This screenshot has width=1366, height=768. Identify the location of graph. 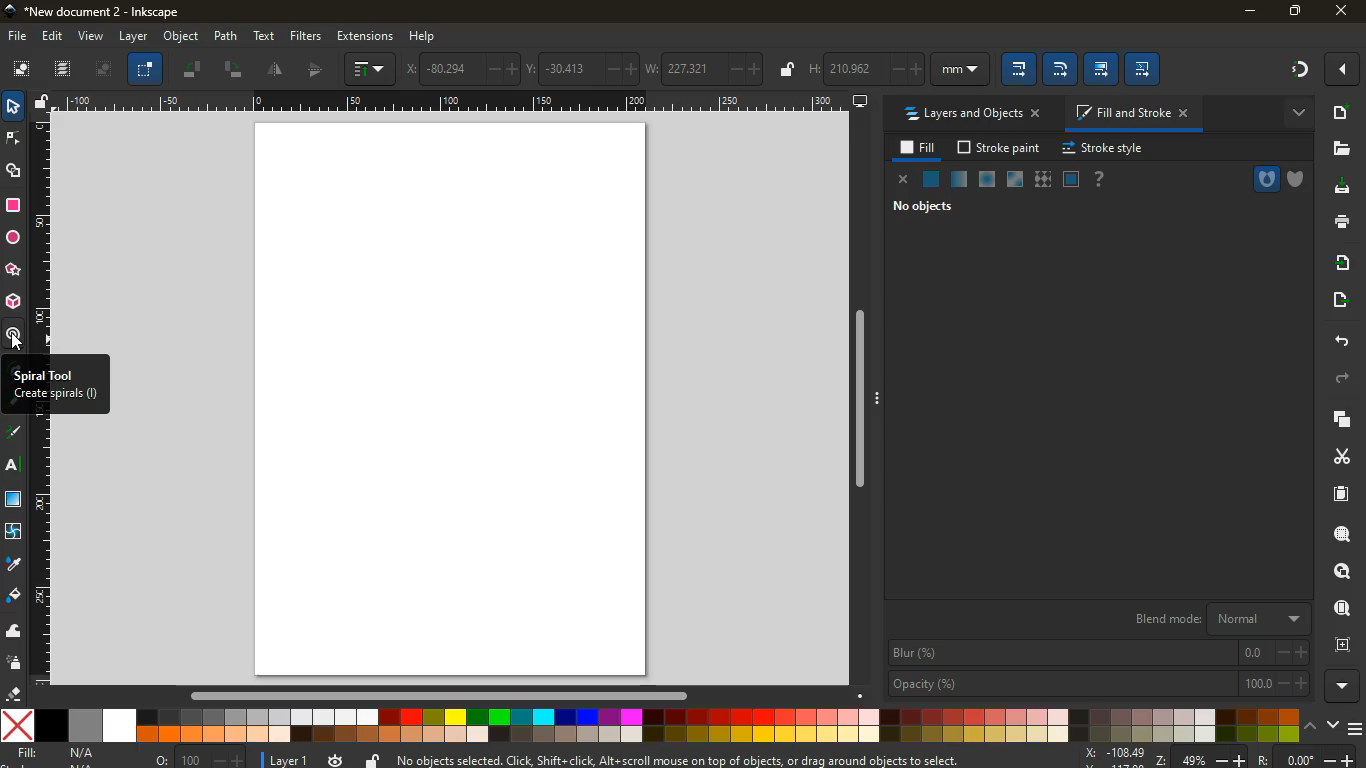
(371, 70).